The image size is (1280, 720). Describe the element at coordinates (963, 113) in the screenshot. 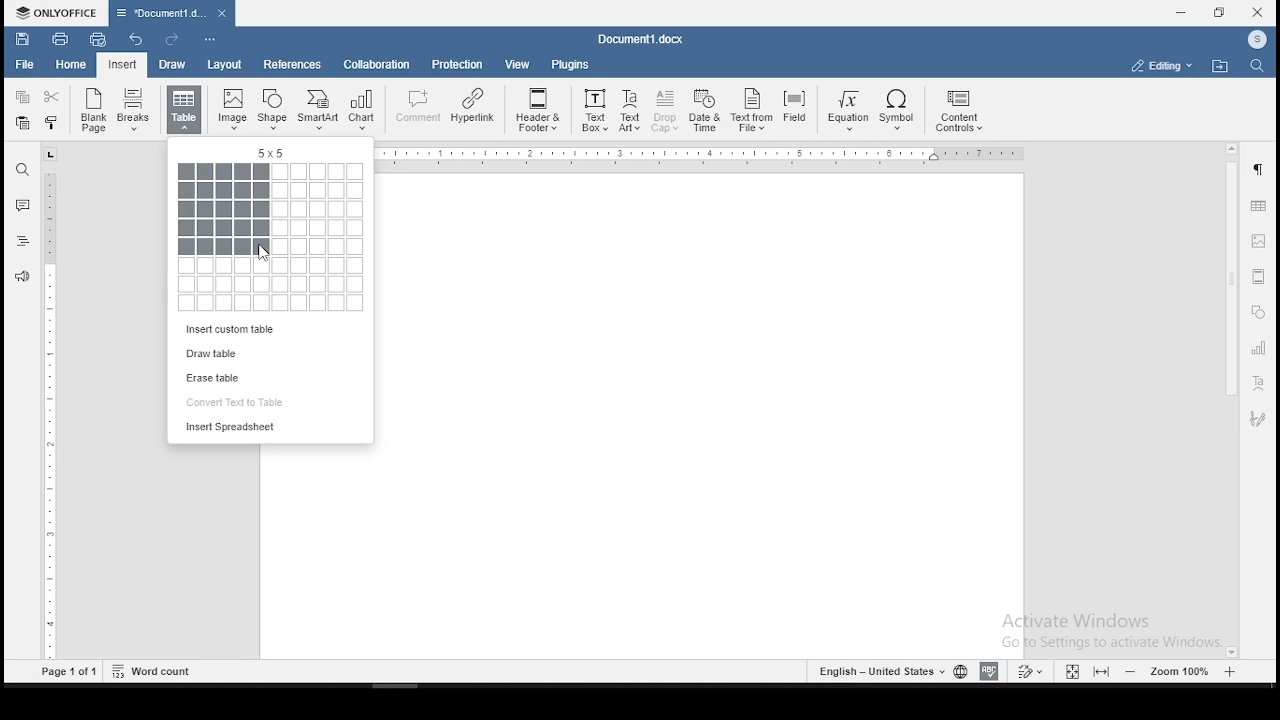

I see `content controls` at that location.